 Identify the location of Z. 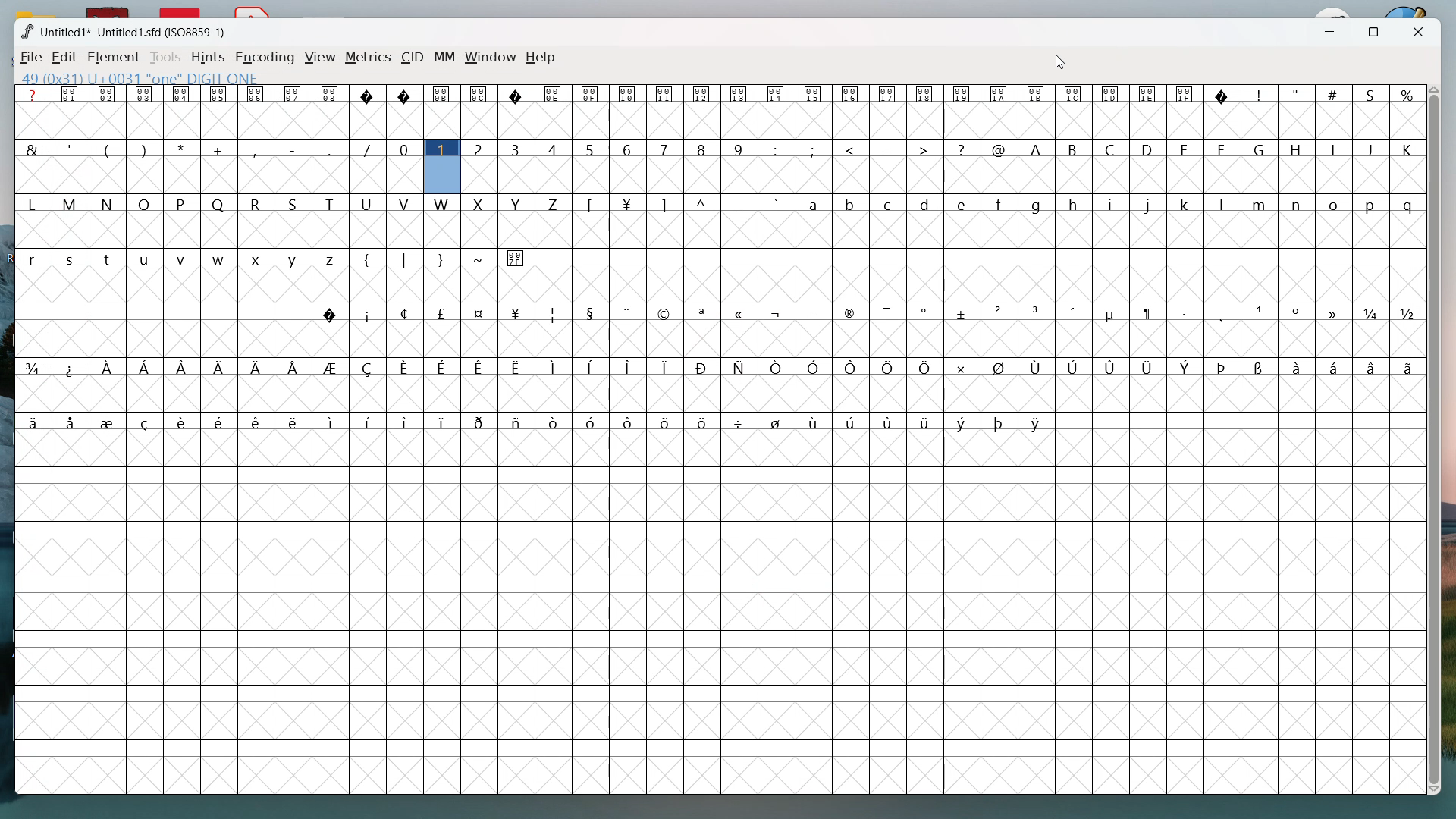
(554, 203).